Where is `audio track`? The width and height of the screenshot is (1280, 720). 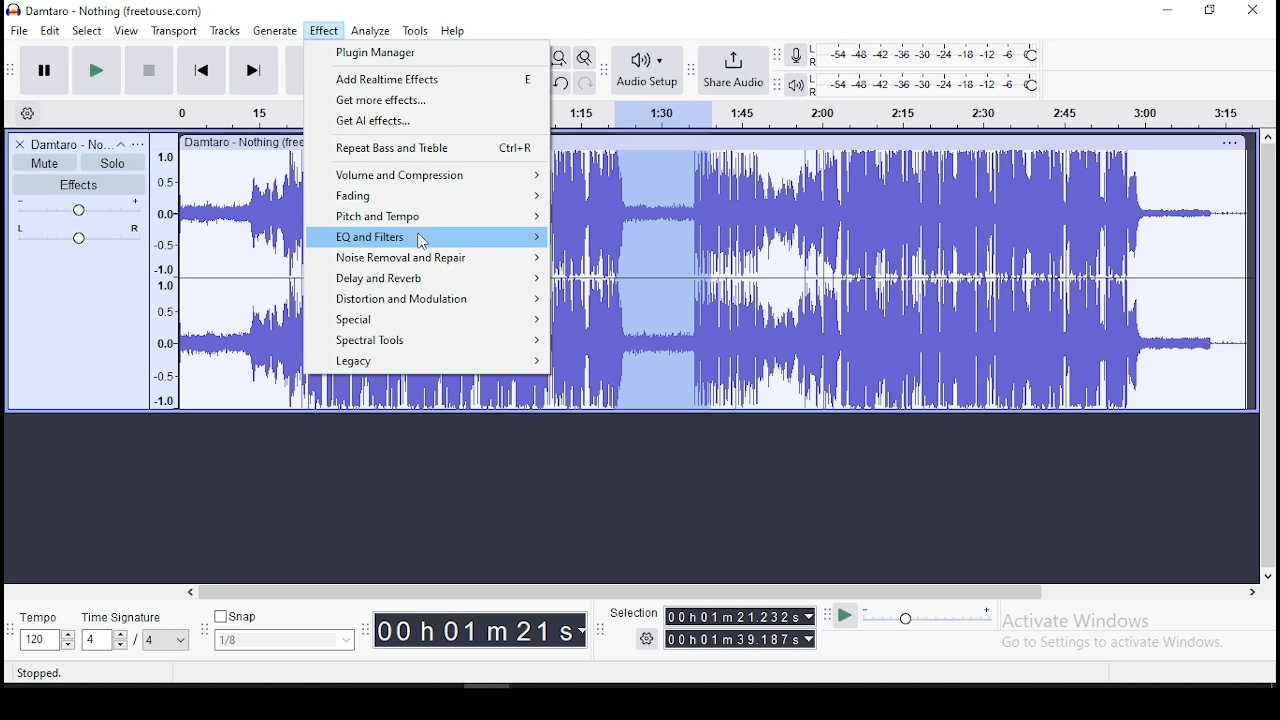
audio track is located at coordinates (901, 344).